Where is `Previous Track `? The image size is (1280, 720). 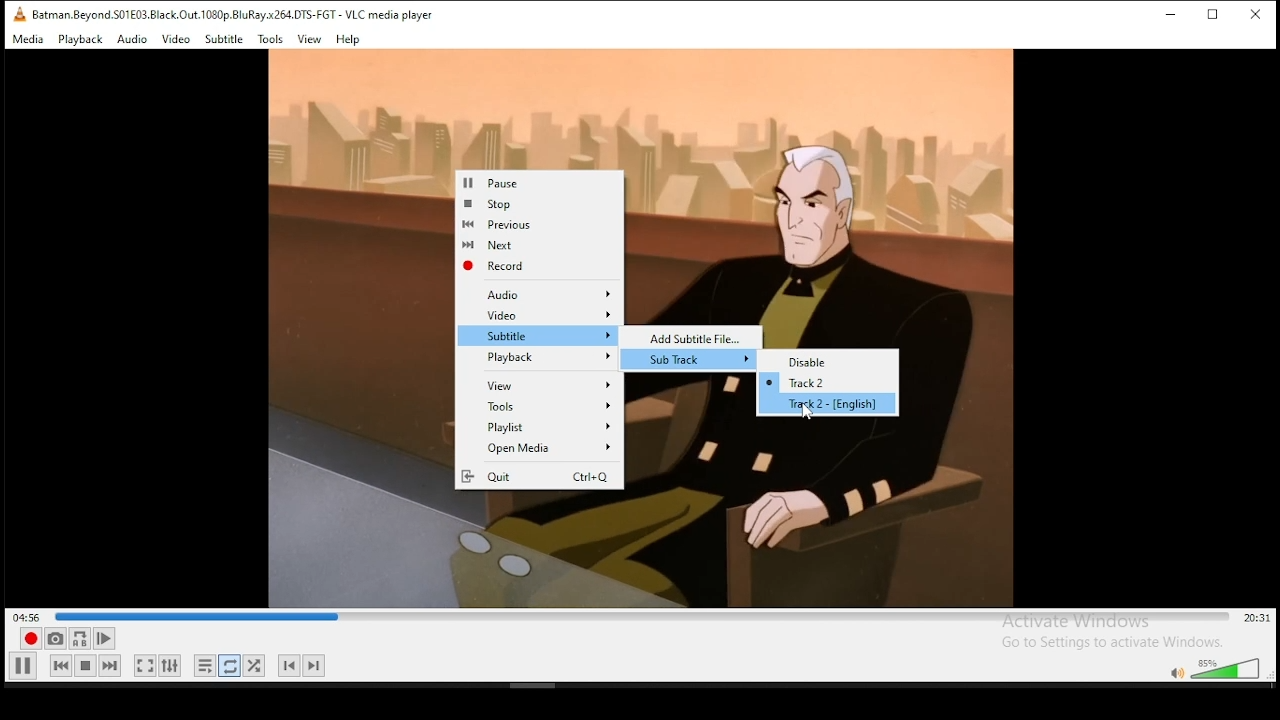
Previous Track  is located at coordinates (288, 665).